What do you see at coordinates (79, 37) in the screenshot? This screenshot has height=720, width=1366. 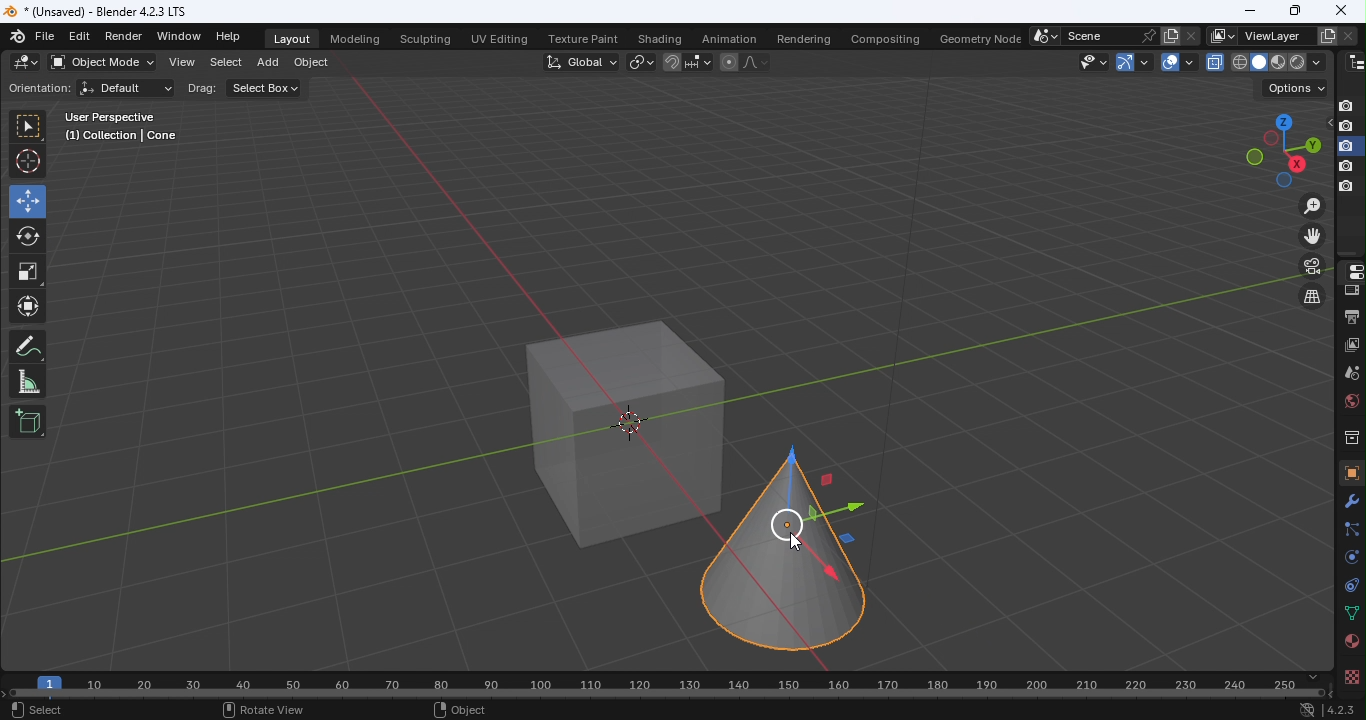 I see `Edit` at bounding box center [79, 37].